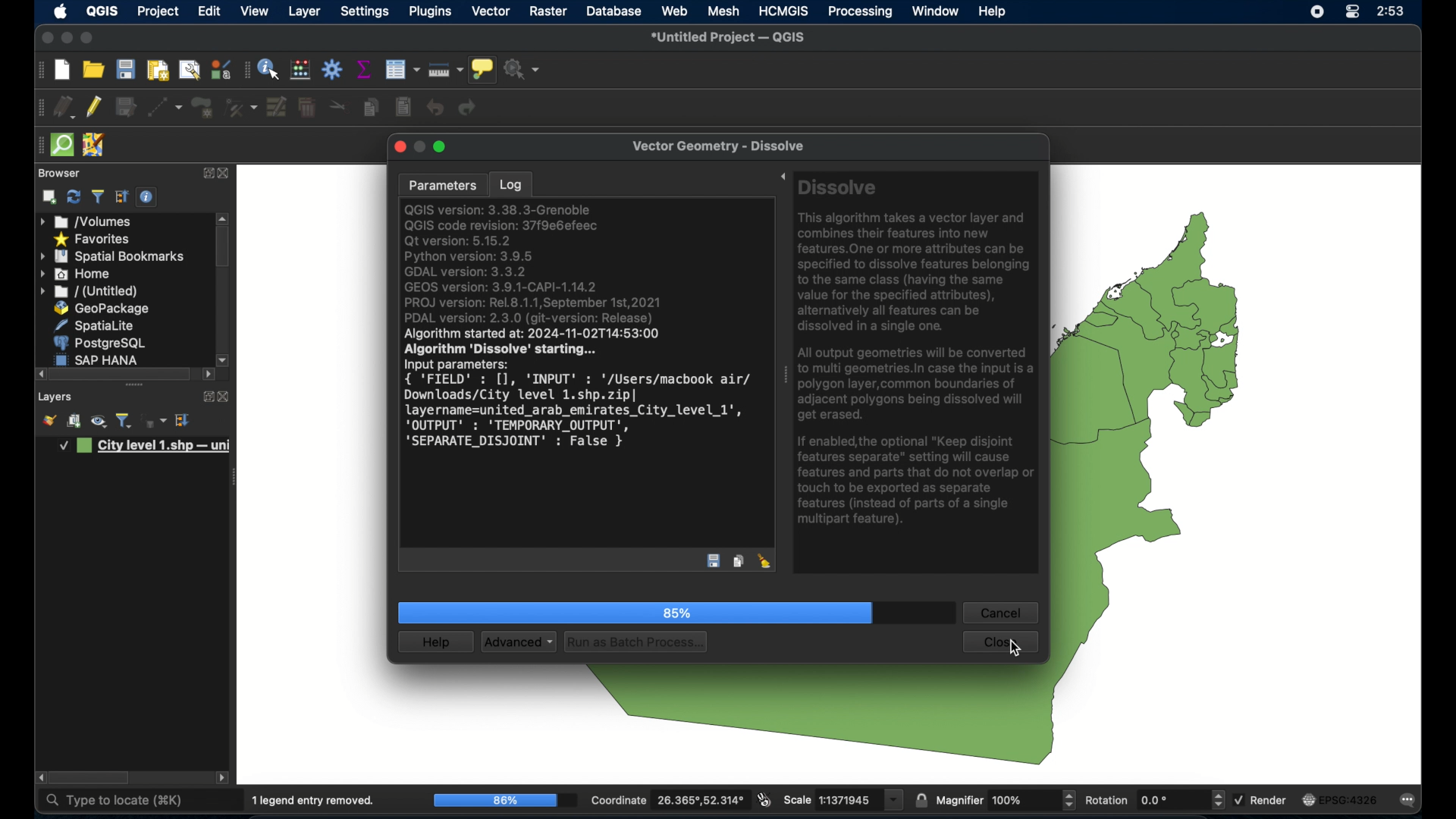 The image size is (1456, 819). I want to click on save project, so click(127, 70).